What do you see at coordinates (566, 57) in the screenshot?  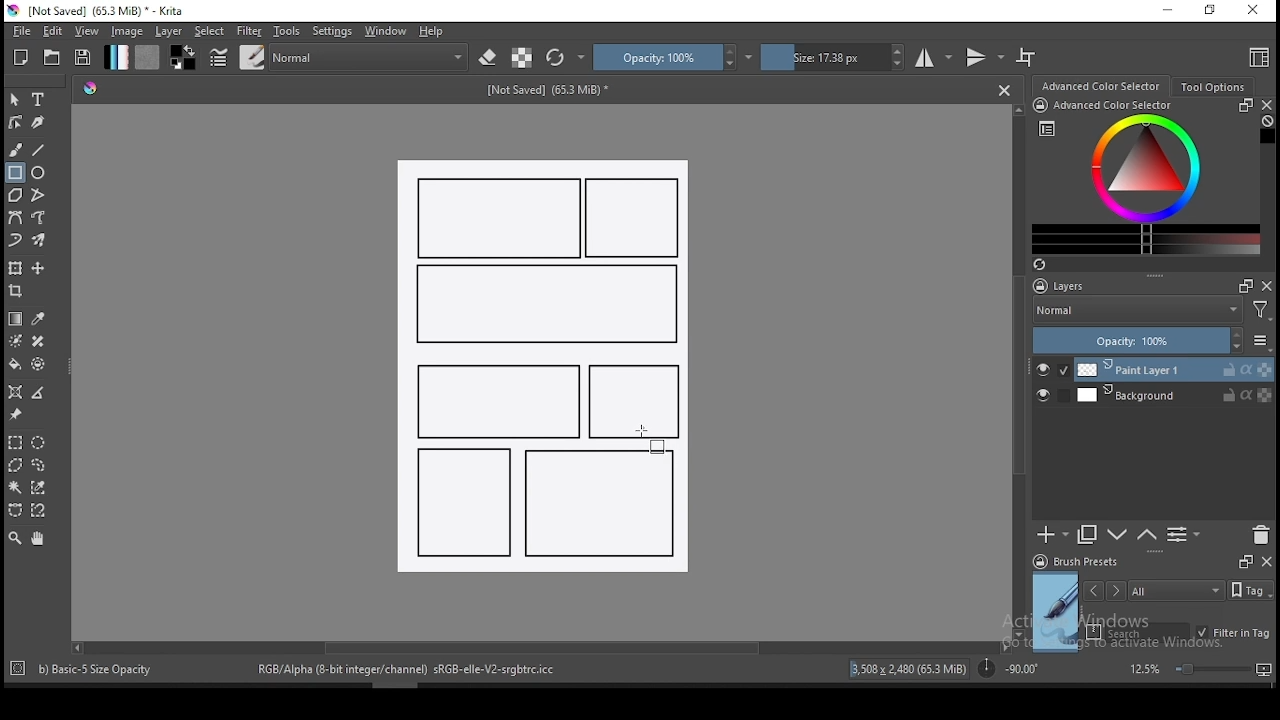 I see `reload original preset` at bounding box center [566, 57].